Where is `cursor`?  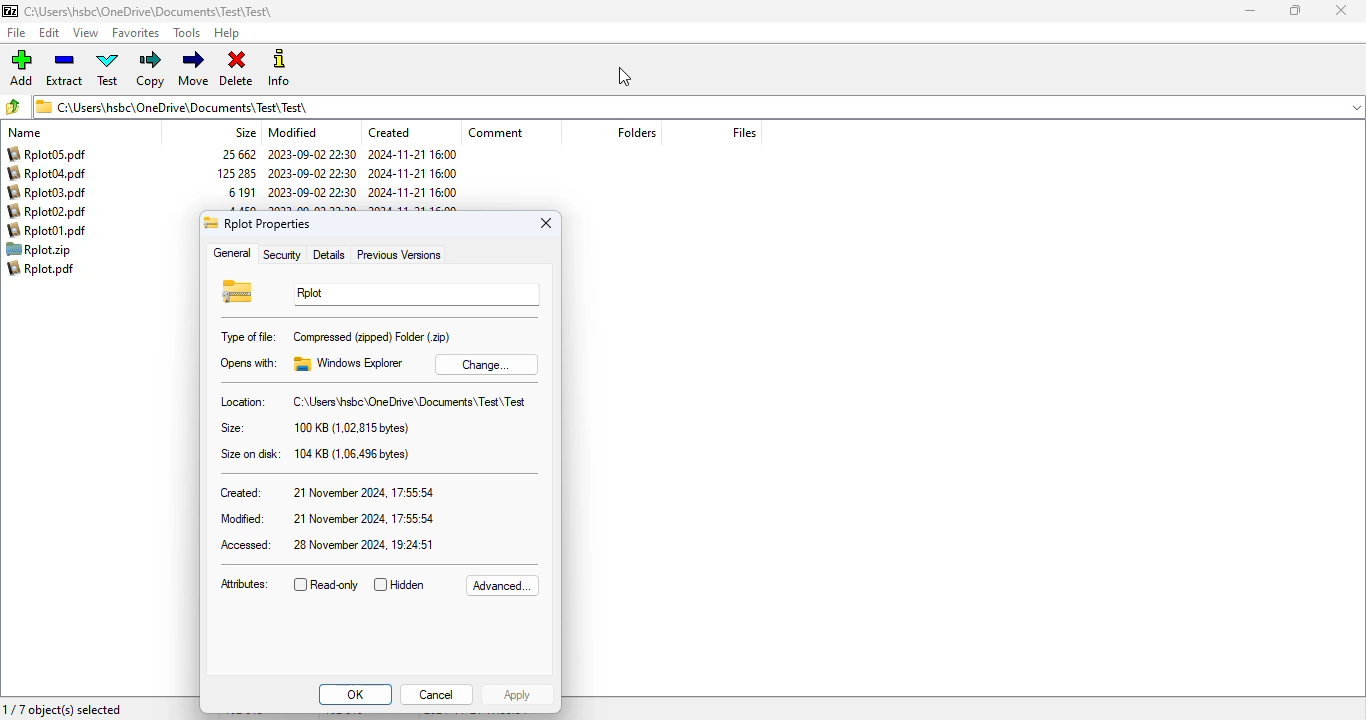 cursor is located at coordinates (625, 77).